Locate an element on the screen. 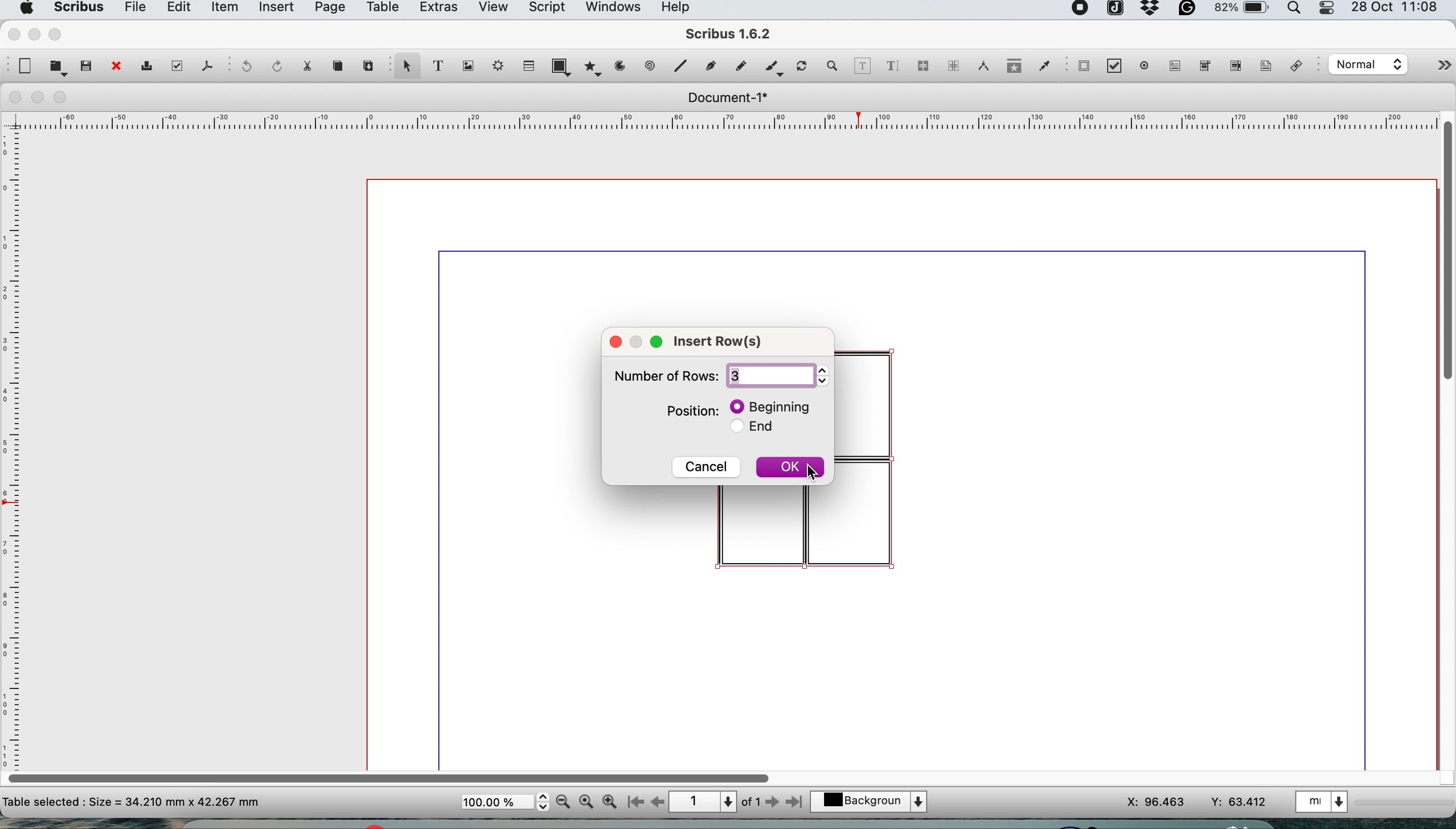  copy is located at coordinates (340, 66).